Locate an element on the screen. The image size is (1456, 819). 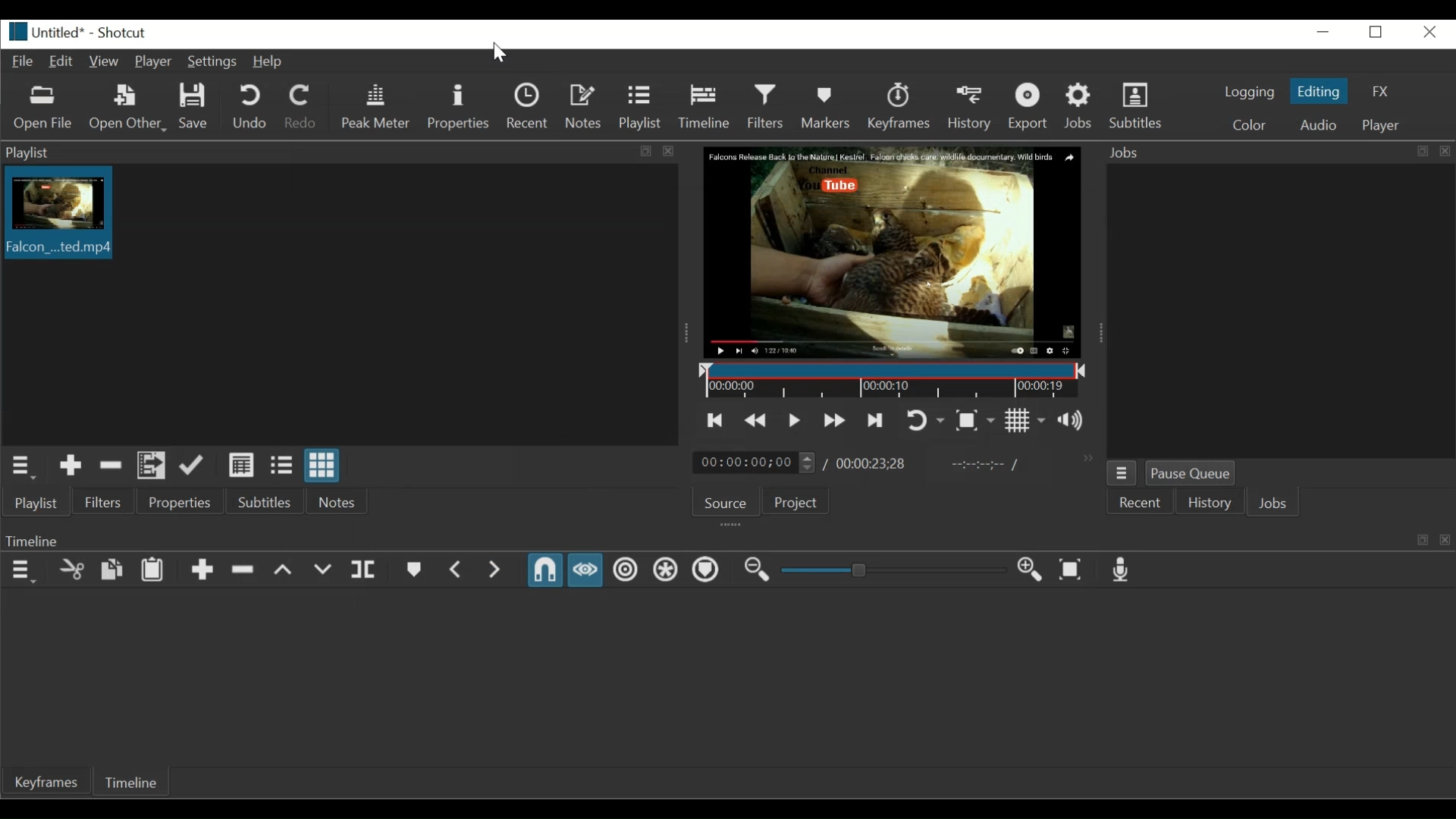
Open Other is located at coordinates (129, 109).